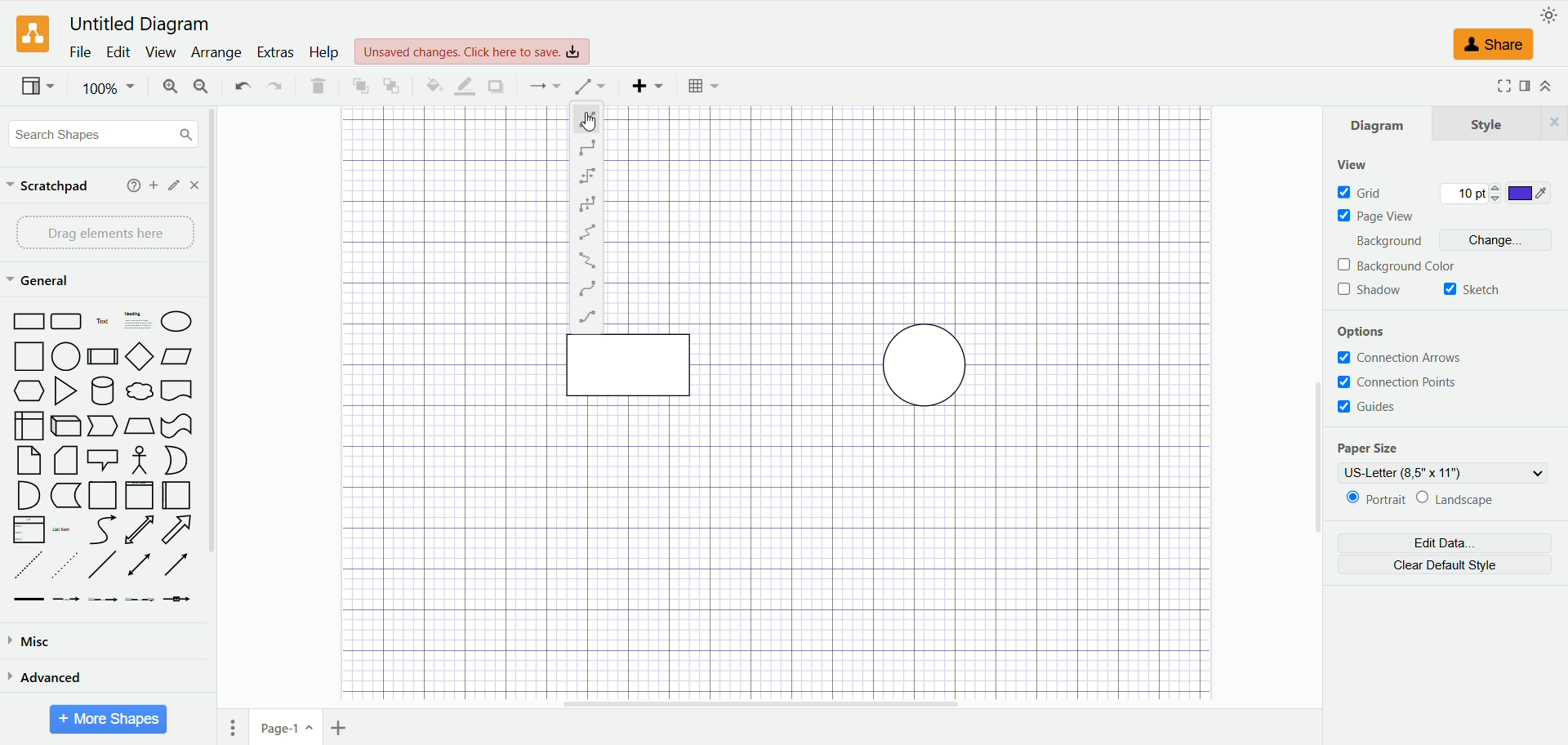 The height and width of the screenshot is (745, 1568). Describe the element at coordinates (196, 185) in the screenshot. I see `close` at that location.